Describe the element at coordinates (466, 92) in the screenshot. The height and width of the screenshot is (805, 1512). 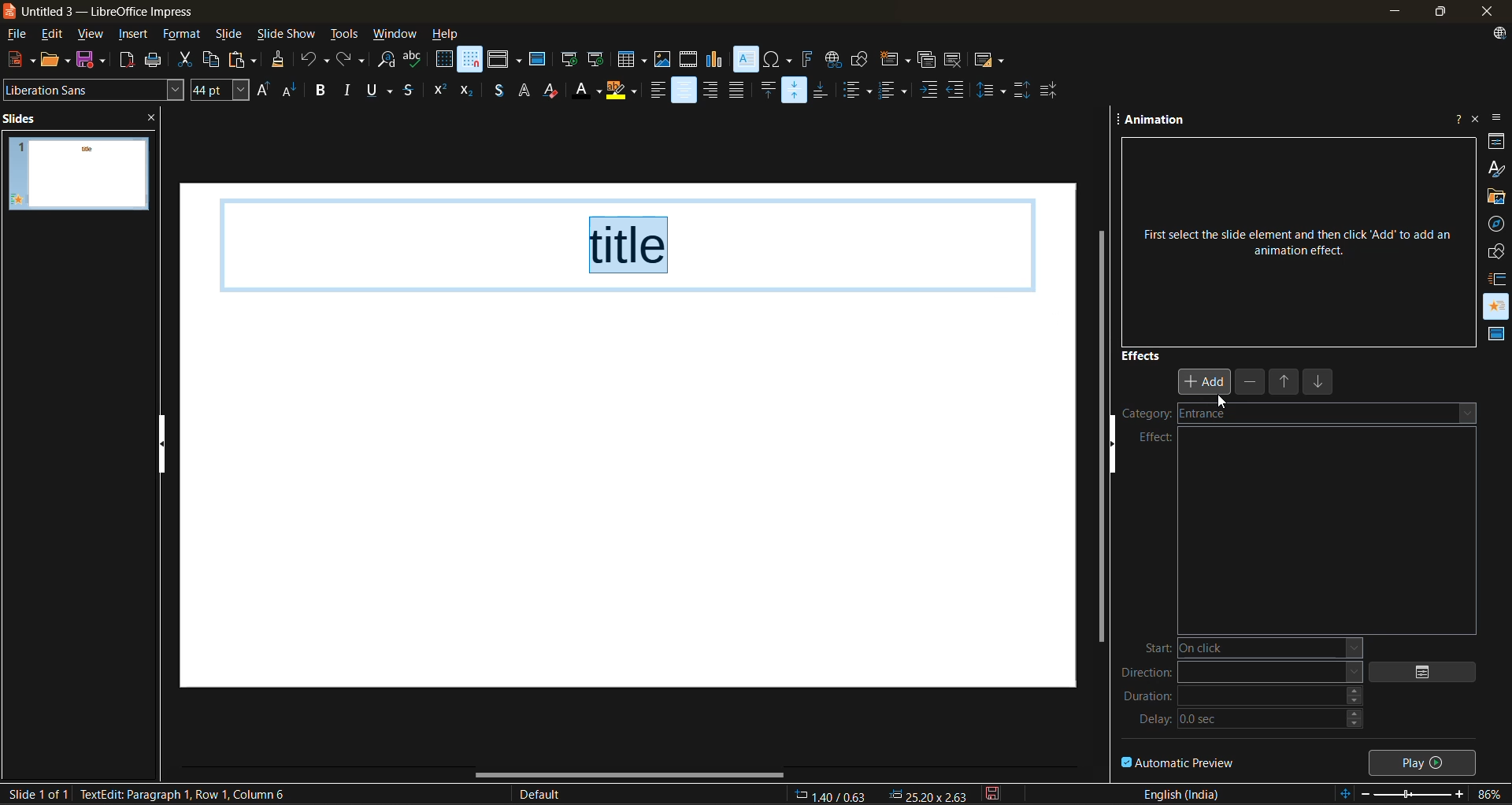
I see `subscript` at that location.